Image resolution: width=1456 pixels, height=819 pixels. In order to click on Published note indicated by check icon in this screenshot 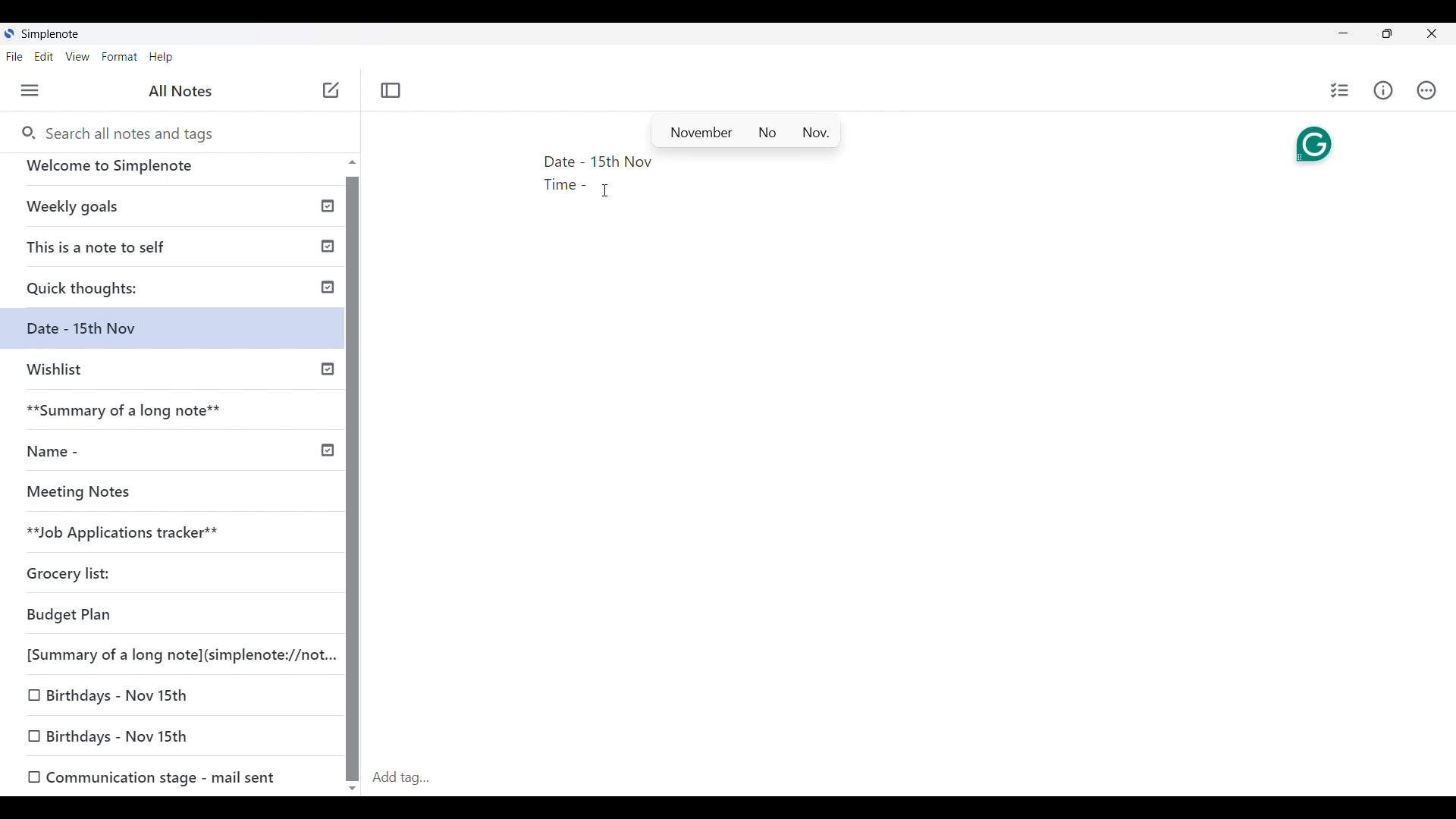, I will do `click(181, 252)`.